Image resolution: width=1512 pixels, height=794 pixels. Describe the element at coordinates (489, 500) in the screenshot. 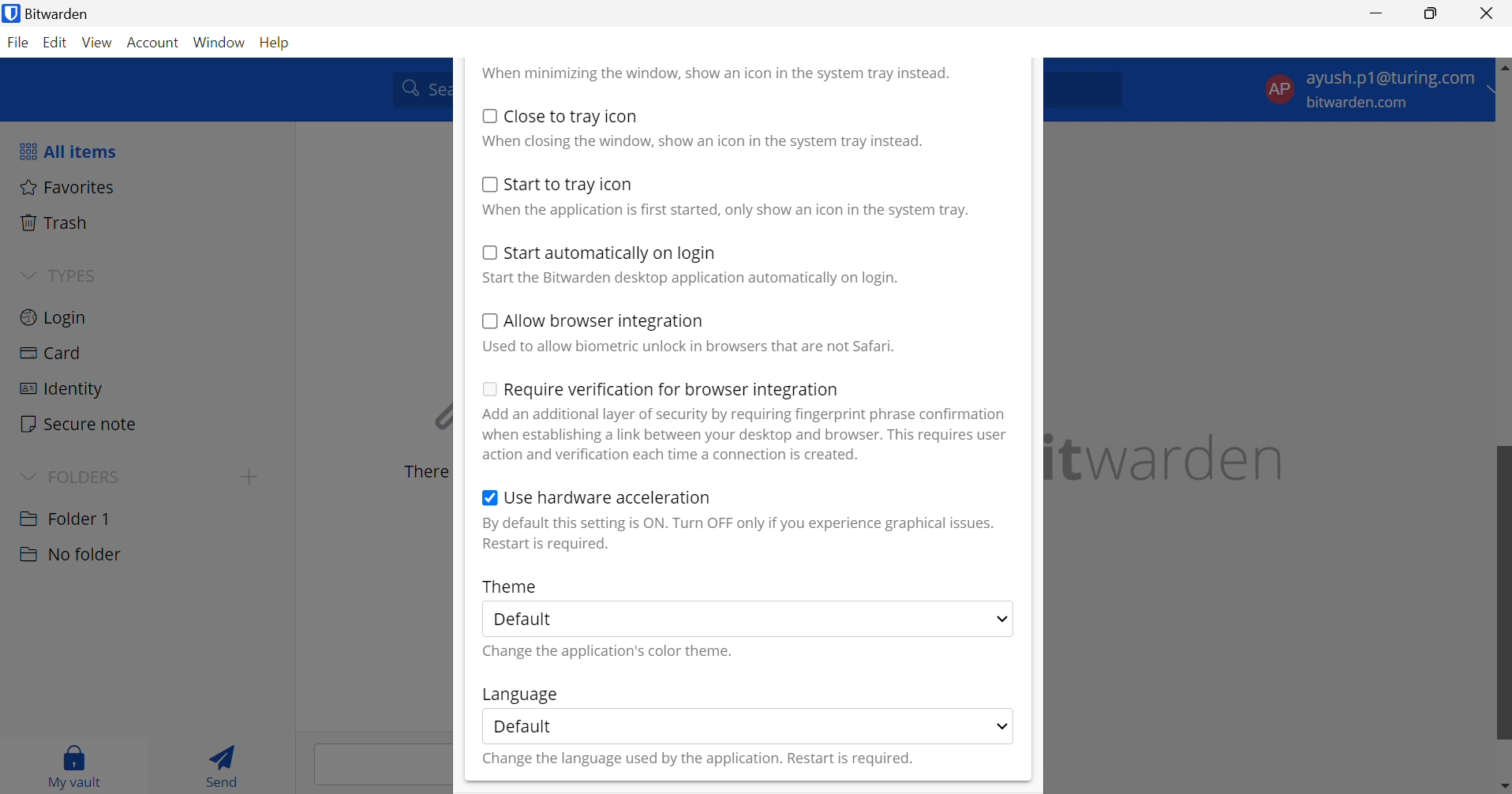

I see `Checkbox` at that location.